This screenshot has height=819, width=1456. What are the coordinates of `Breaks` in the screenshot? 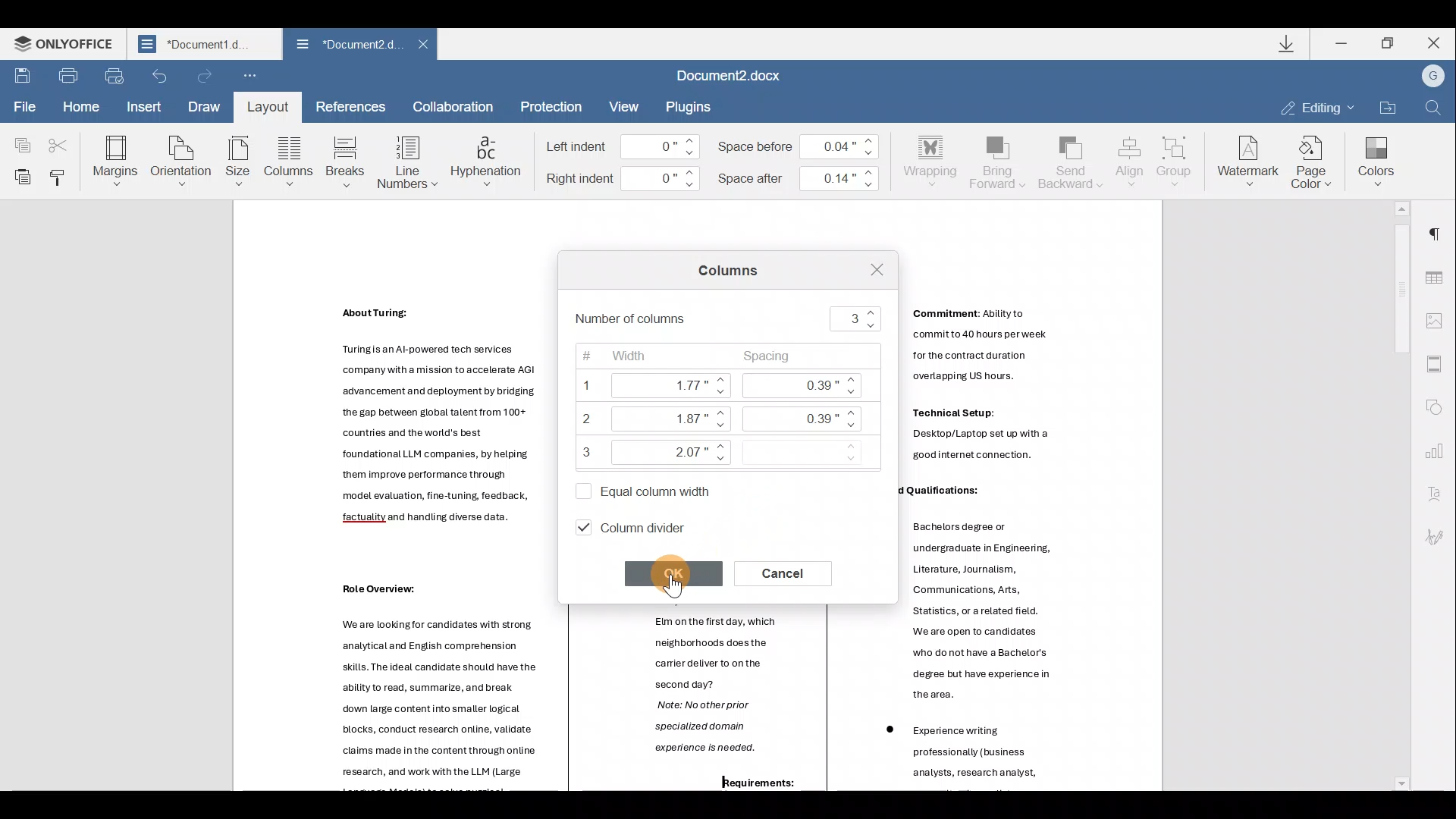 It's located at (344, 162).